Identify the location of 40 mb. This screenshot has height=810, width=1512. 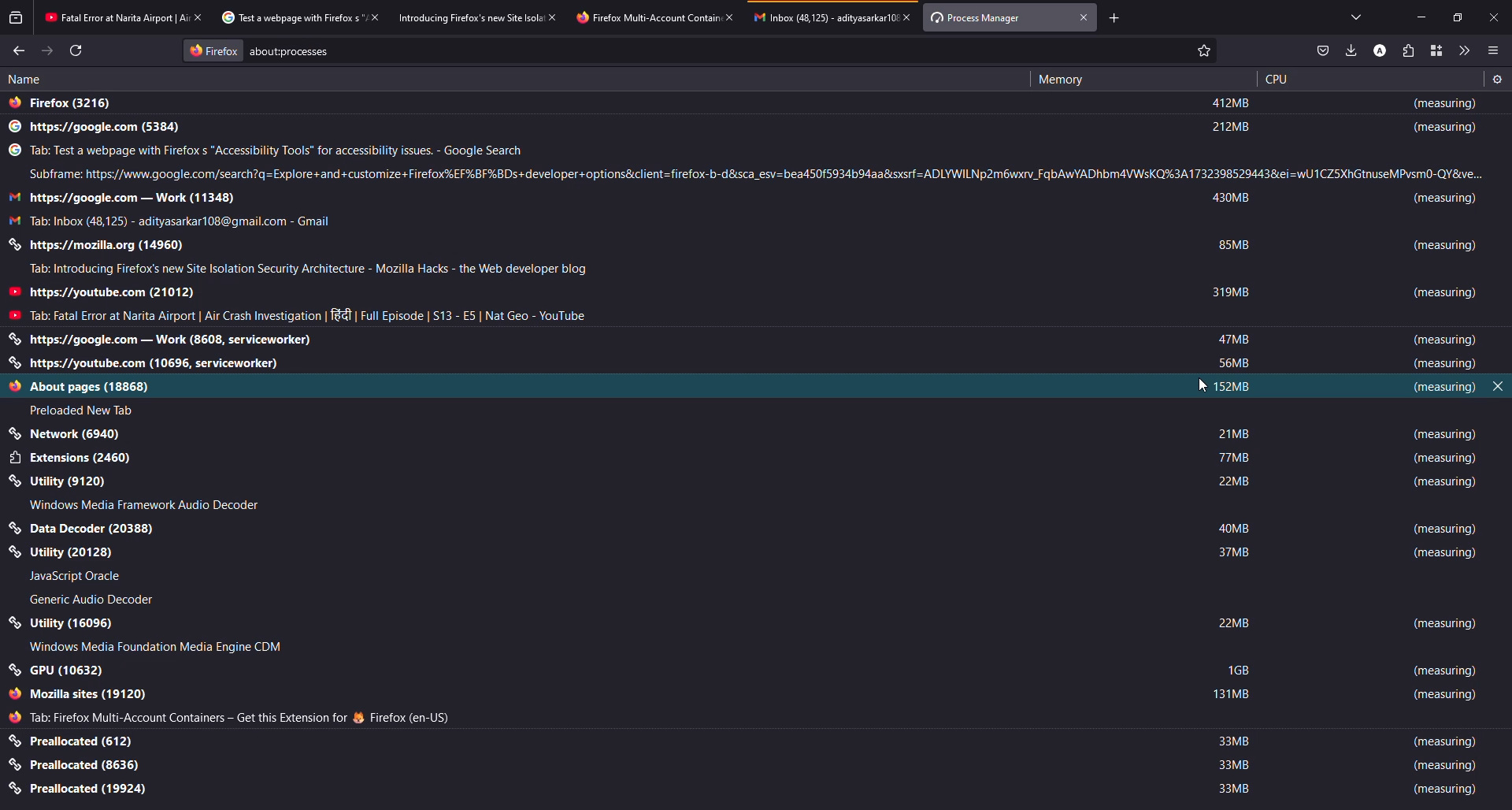
(1227, 526).